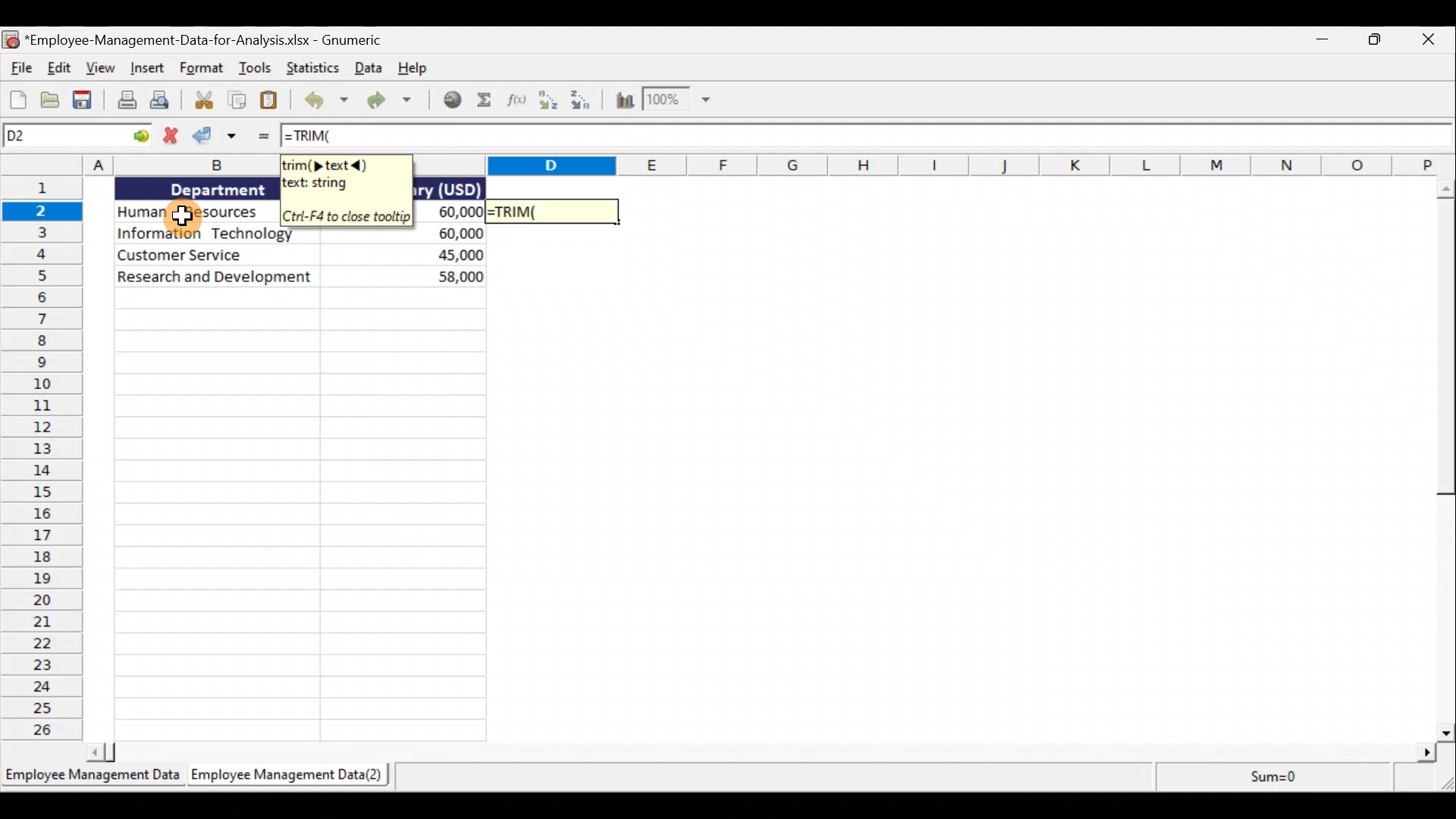 The width and height of the screenshot is (1456, 819). What do you see at coordinates (1376, 42) in the screenshot?
I see `Maximise` at bounding box center [1376, 42].